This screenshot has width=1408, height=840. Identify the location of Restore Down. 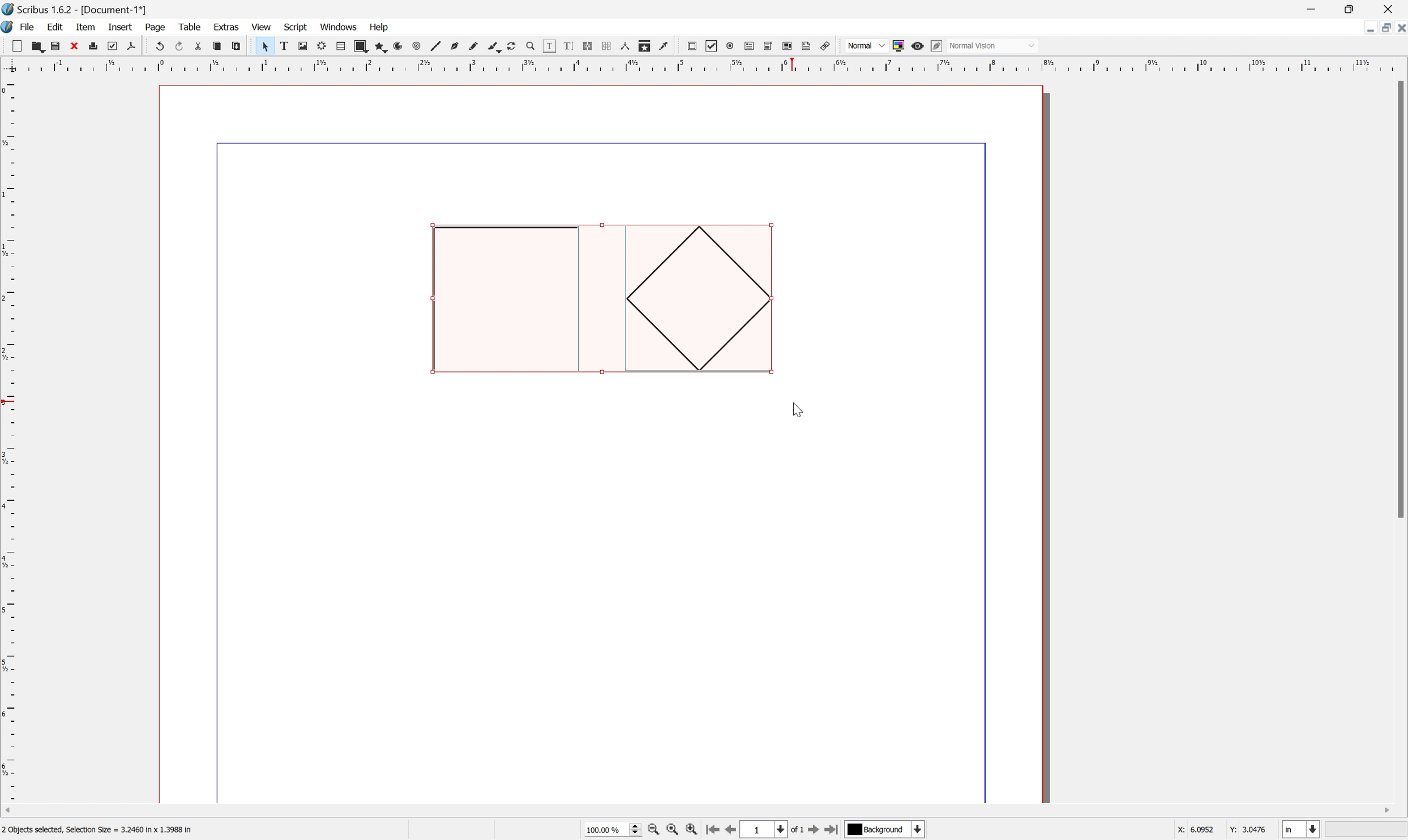
(1352, 8).